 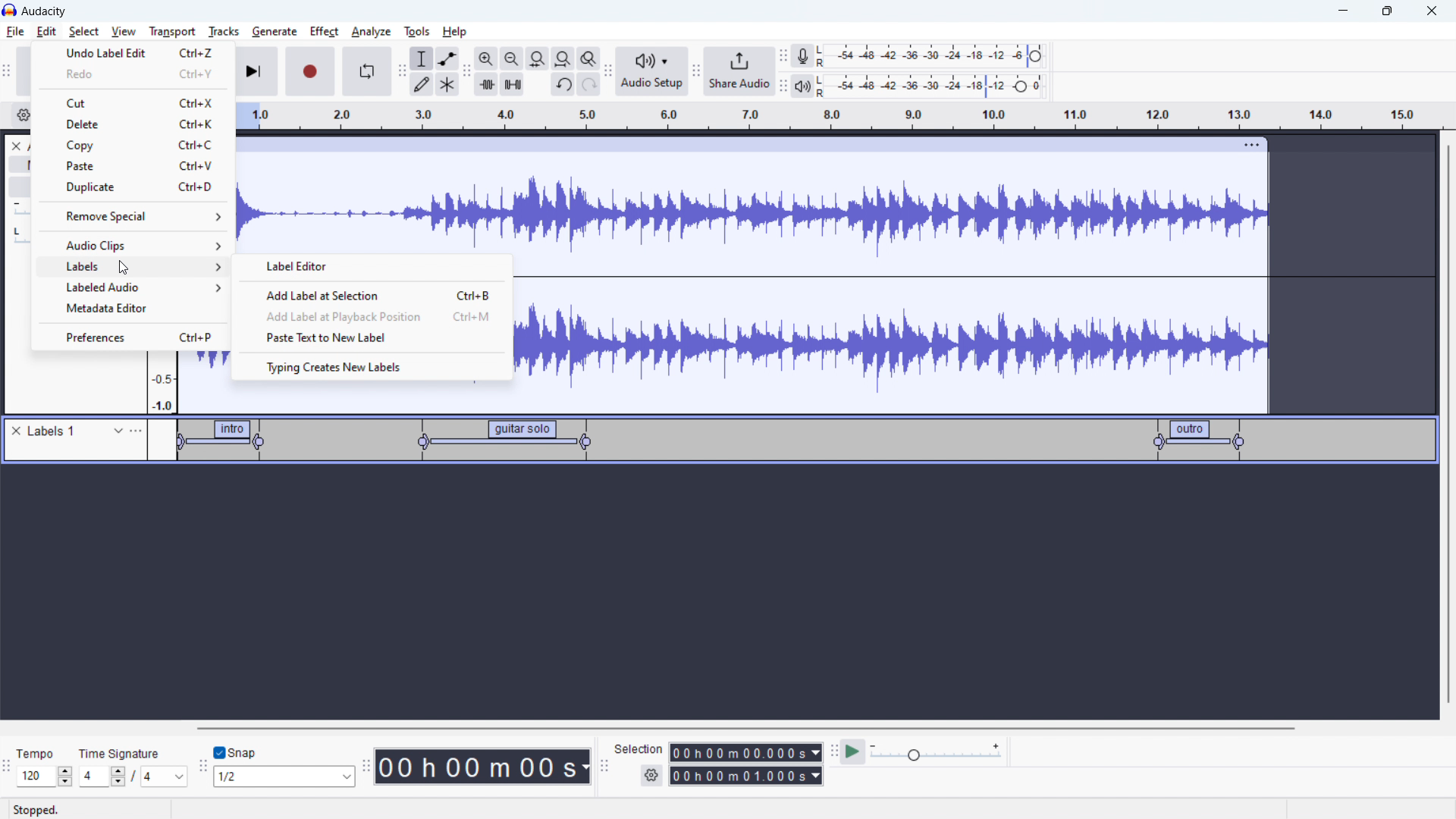 What do you see at coordinates (370, 339) in the screenshot?
I see `paste text to new label` at bounding box center [370, 339].